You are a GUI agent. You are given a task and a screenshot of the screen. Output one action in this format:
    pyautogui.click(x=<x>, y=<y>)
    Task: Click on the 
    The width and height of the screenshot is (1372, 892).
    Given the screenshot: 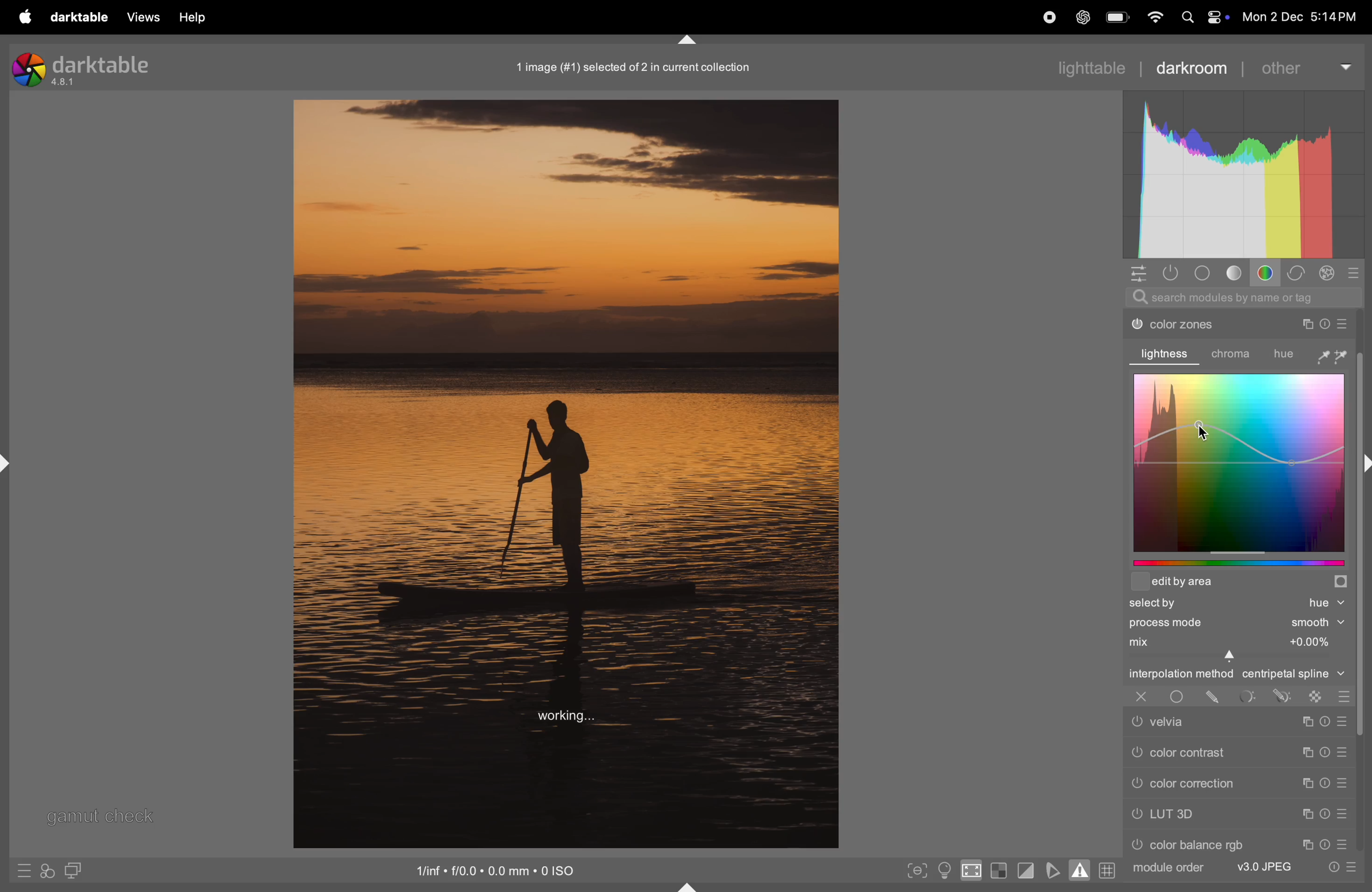 What is the action you would take?
    pyautogui.click(x=1357, y=272)
    